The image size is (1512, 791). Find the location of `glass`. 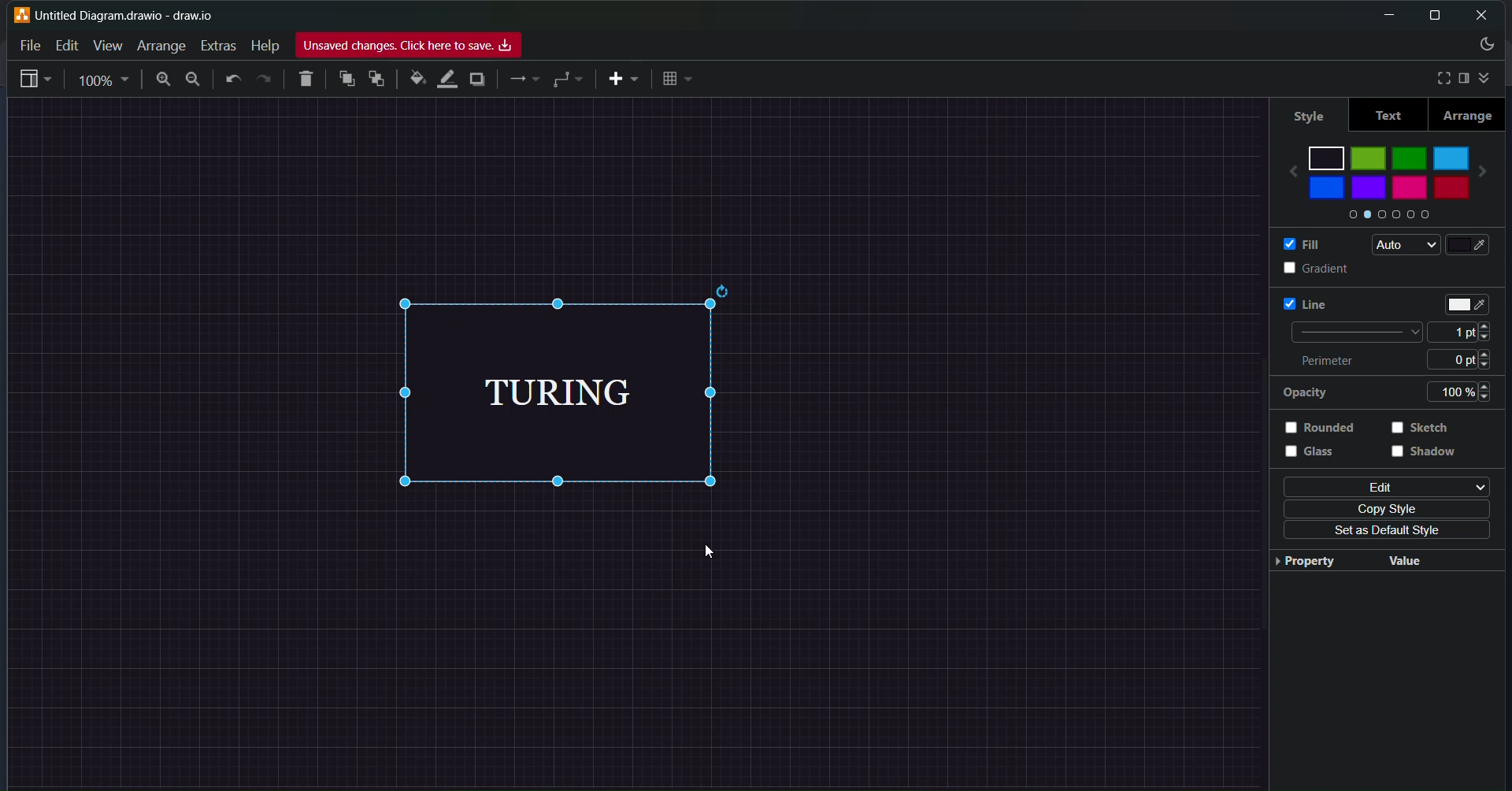

glass is located at coordinates (1320, 458).